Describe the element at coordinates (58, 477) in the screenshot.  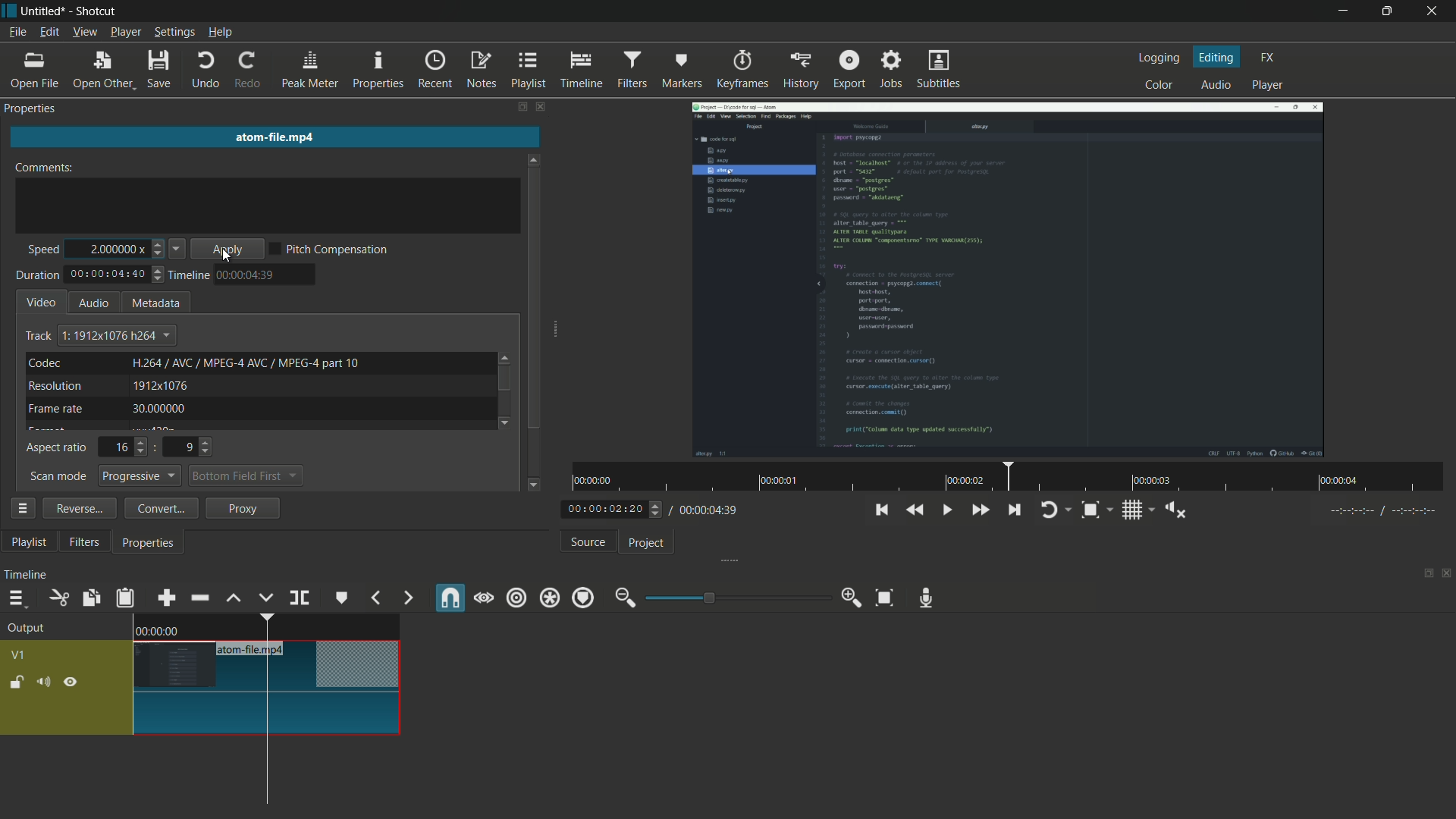
I see `scan mode` at that location.